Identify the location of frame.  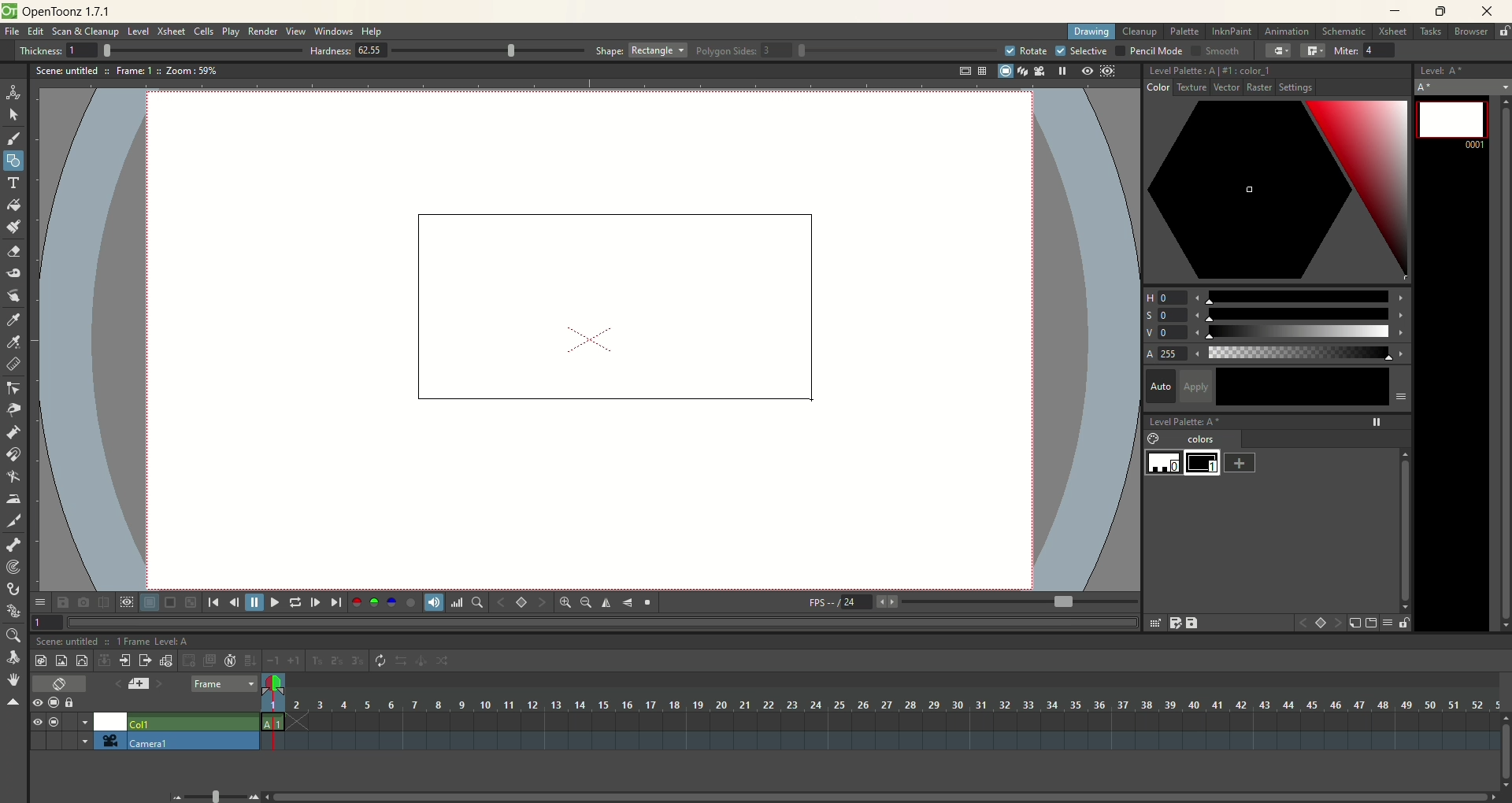
(224, 685).